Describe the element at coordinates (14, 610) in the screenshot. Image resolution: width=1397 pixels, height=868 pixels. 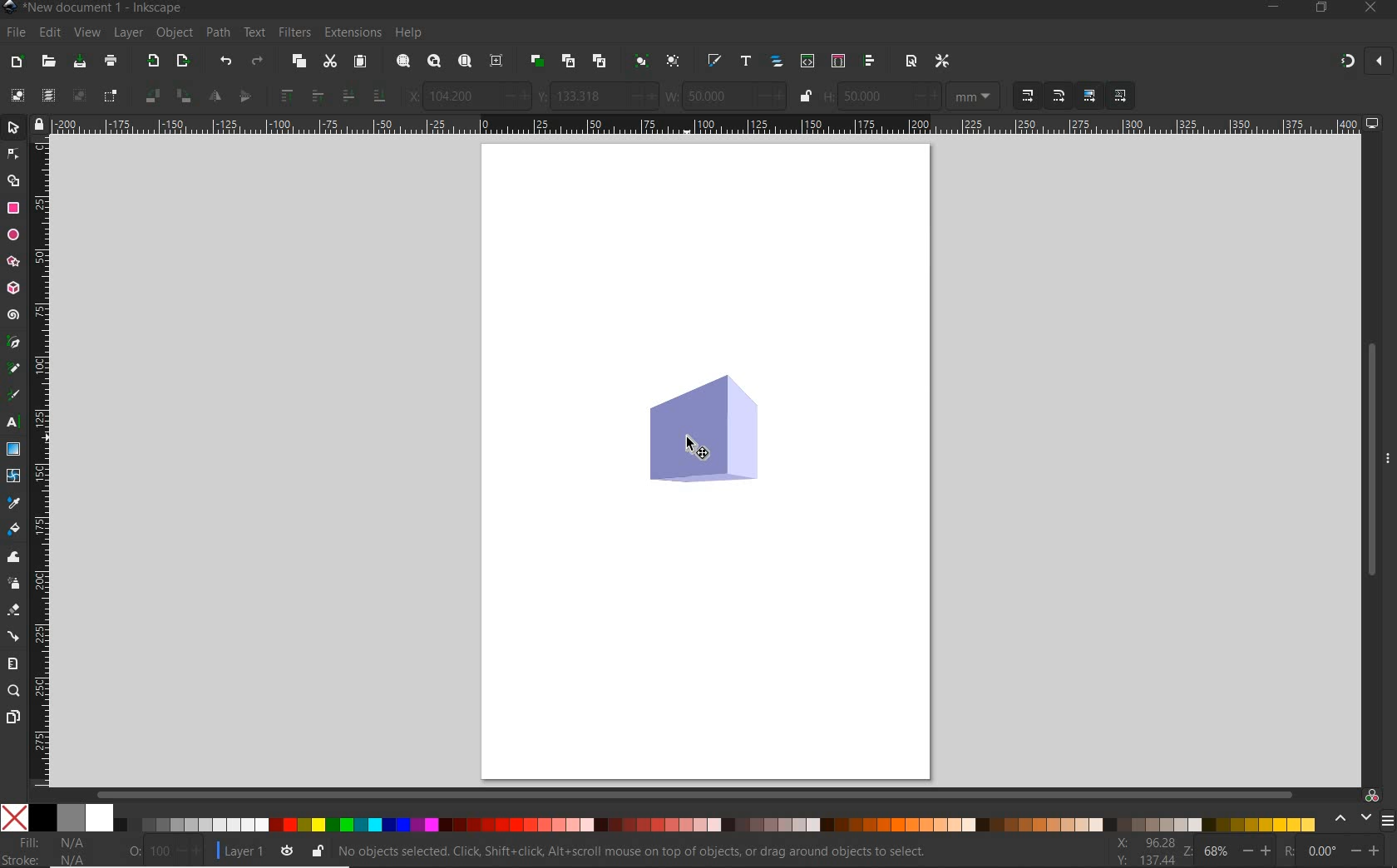
I see `eraser tool` at that location.